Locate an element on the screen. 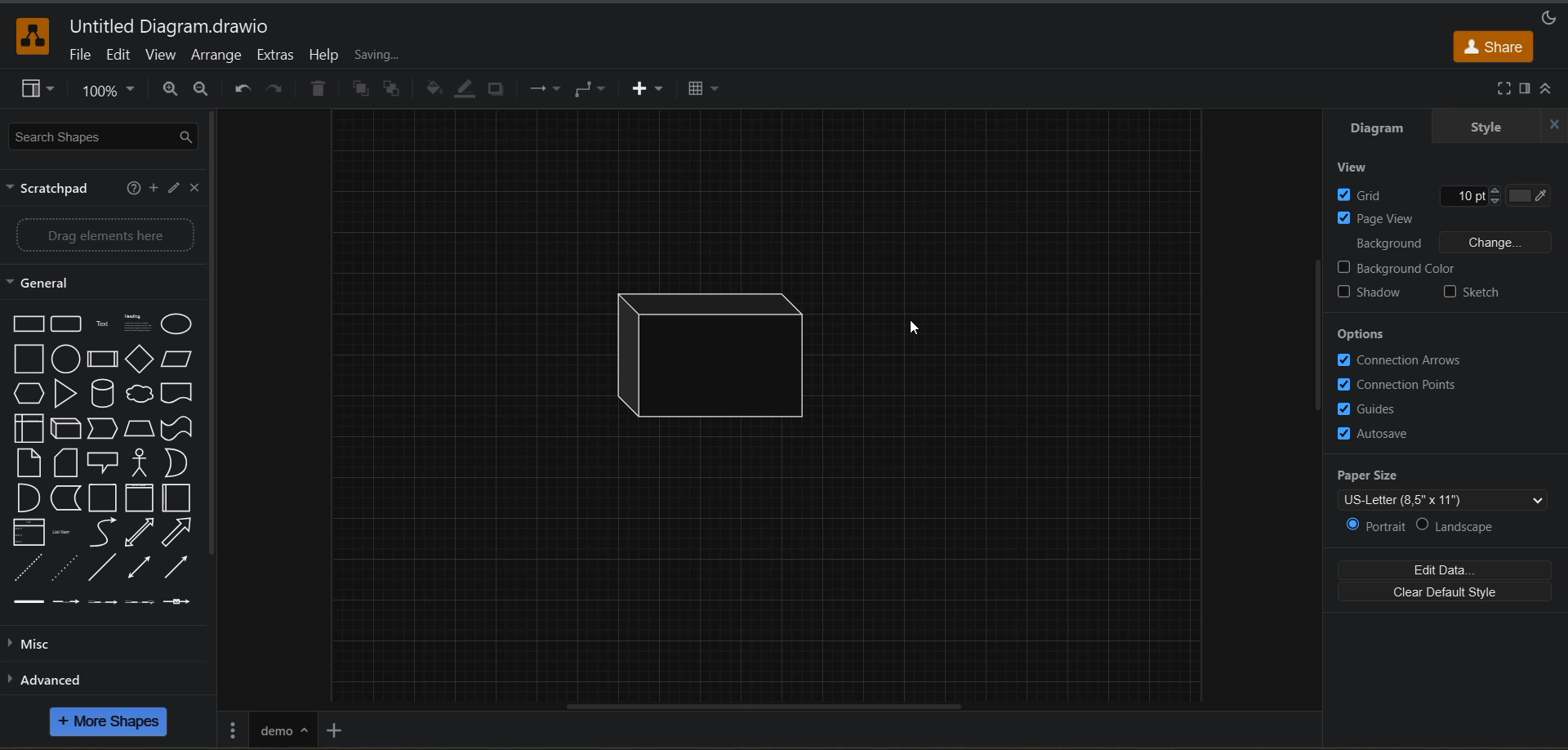 The height and width of the screenshot is (750, 1568). guides is located at coordinates (1374, 408).